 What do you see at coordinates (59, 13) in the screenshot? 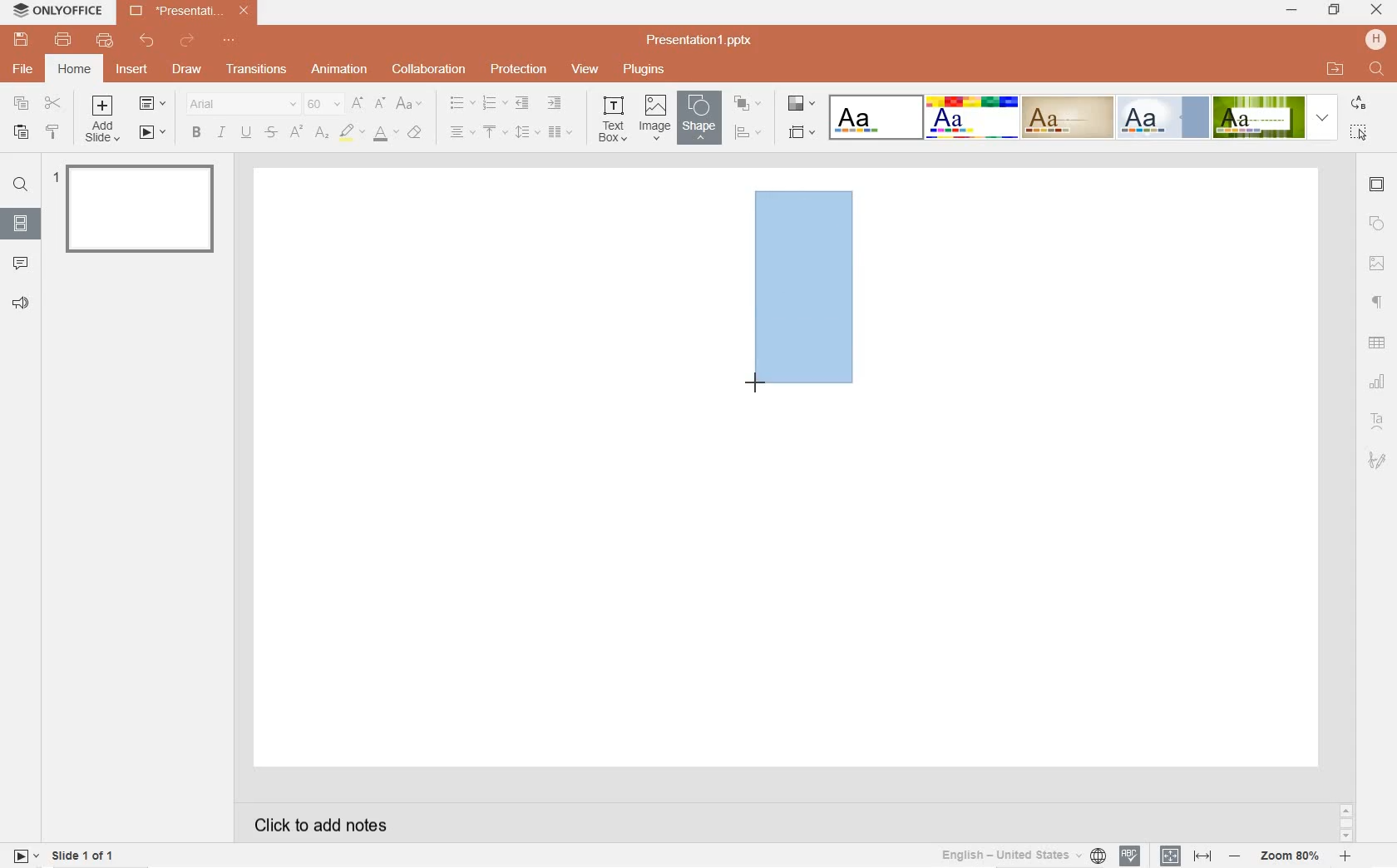
I see `ONLYOFFICE` at bounding box center [59, 13].